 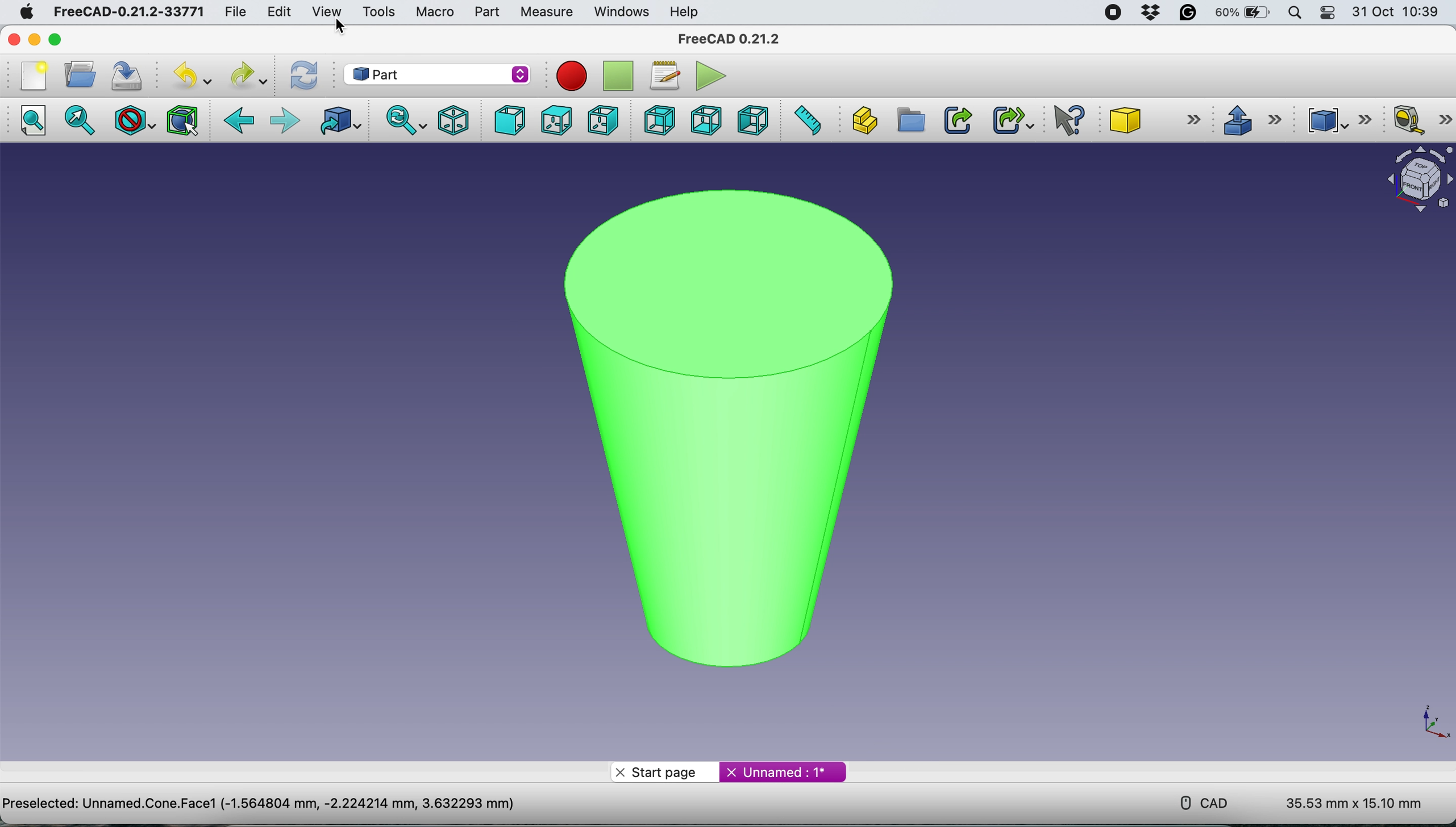 What do you see at coordinates (1413, 179) in the screenshot?
I see `object navigator` at bounding box center [1413, 179].